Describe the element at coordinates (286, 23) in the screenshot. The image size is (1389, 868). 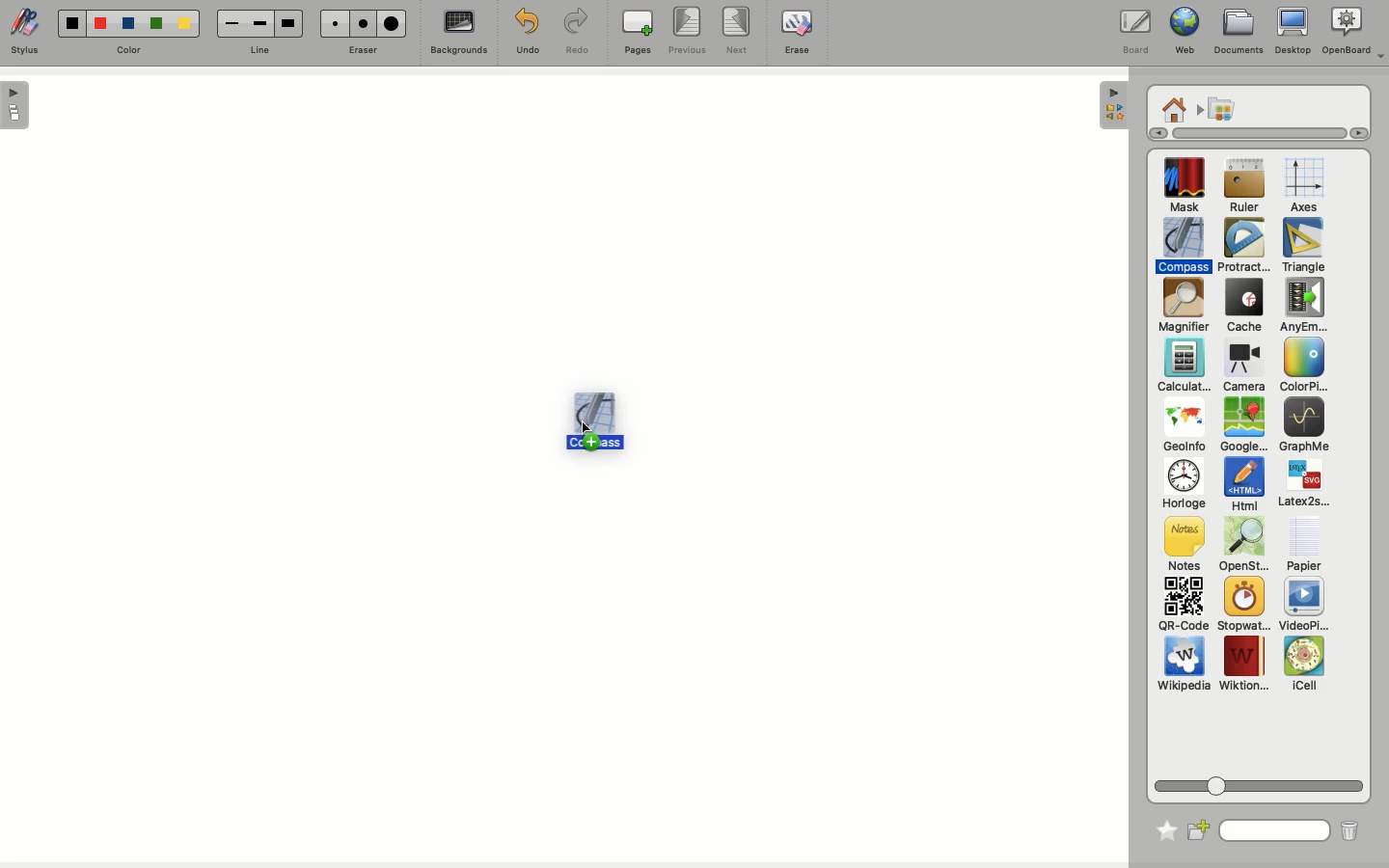
I see `Line3` at that location.